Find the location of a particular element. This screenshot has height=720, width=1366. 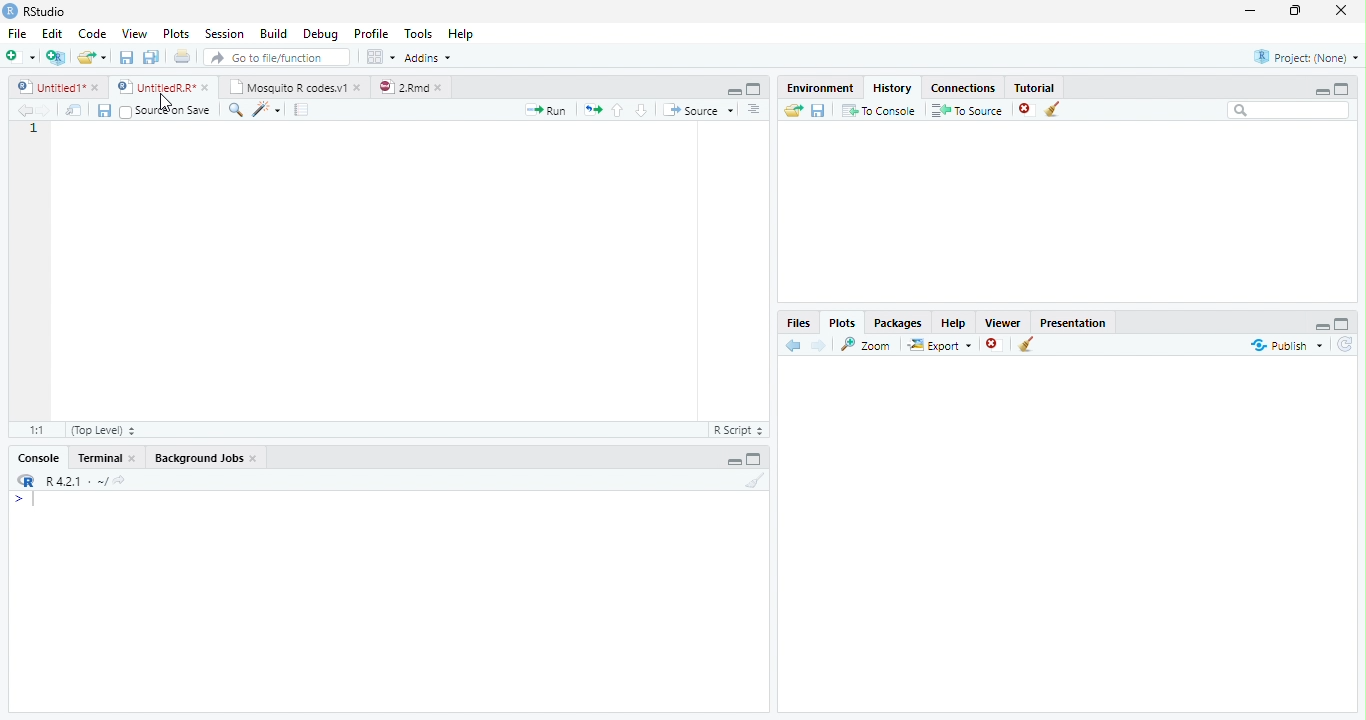

Debug is located at coordinates (321, 33).